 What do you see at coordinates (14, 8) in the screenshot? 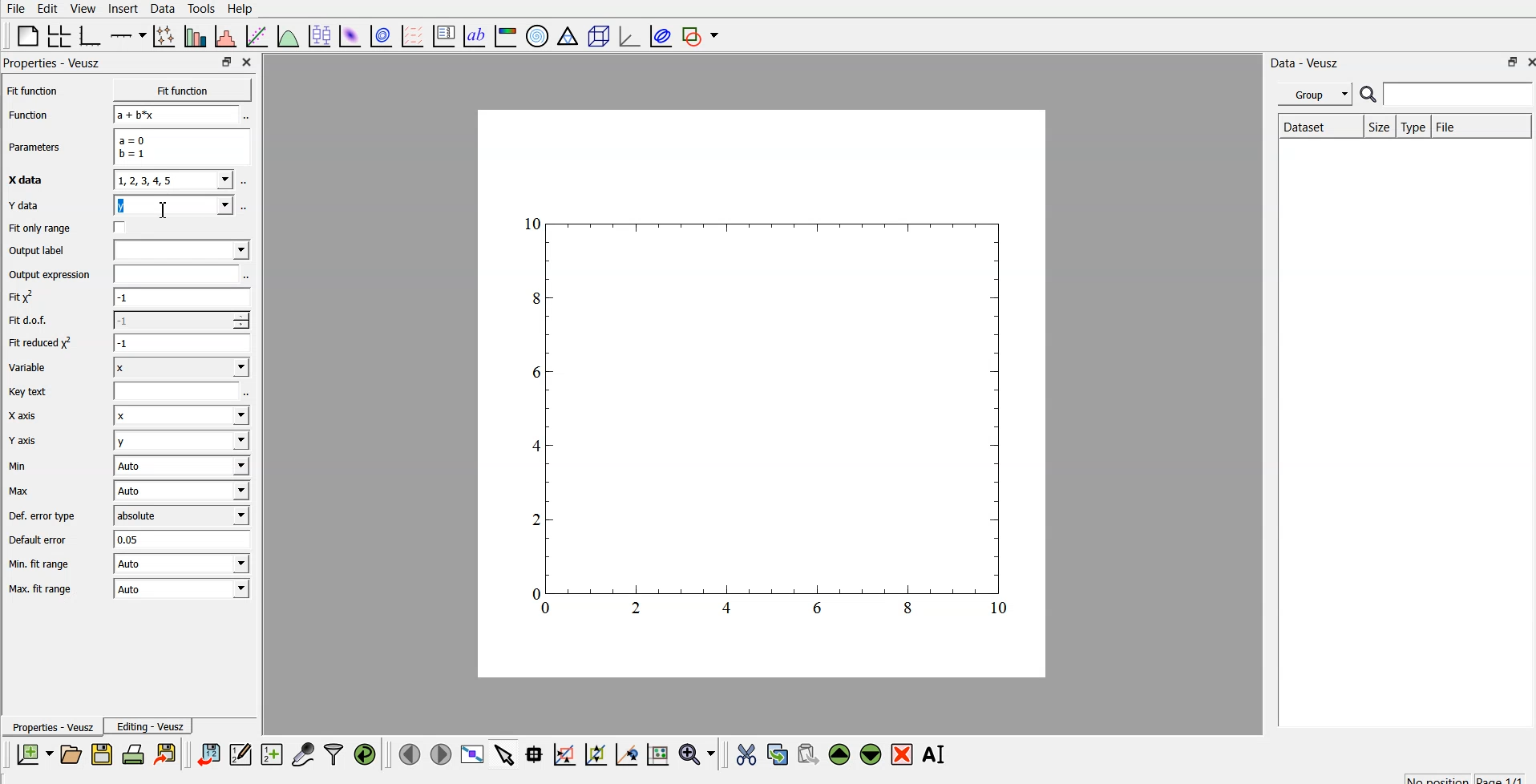
I see `file` at bounding box center [14, 8].